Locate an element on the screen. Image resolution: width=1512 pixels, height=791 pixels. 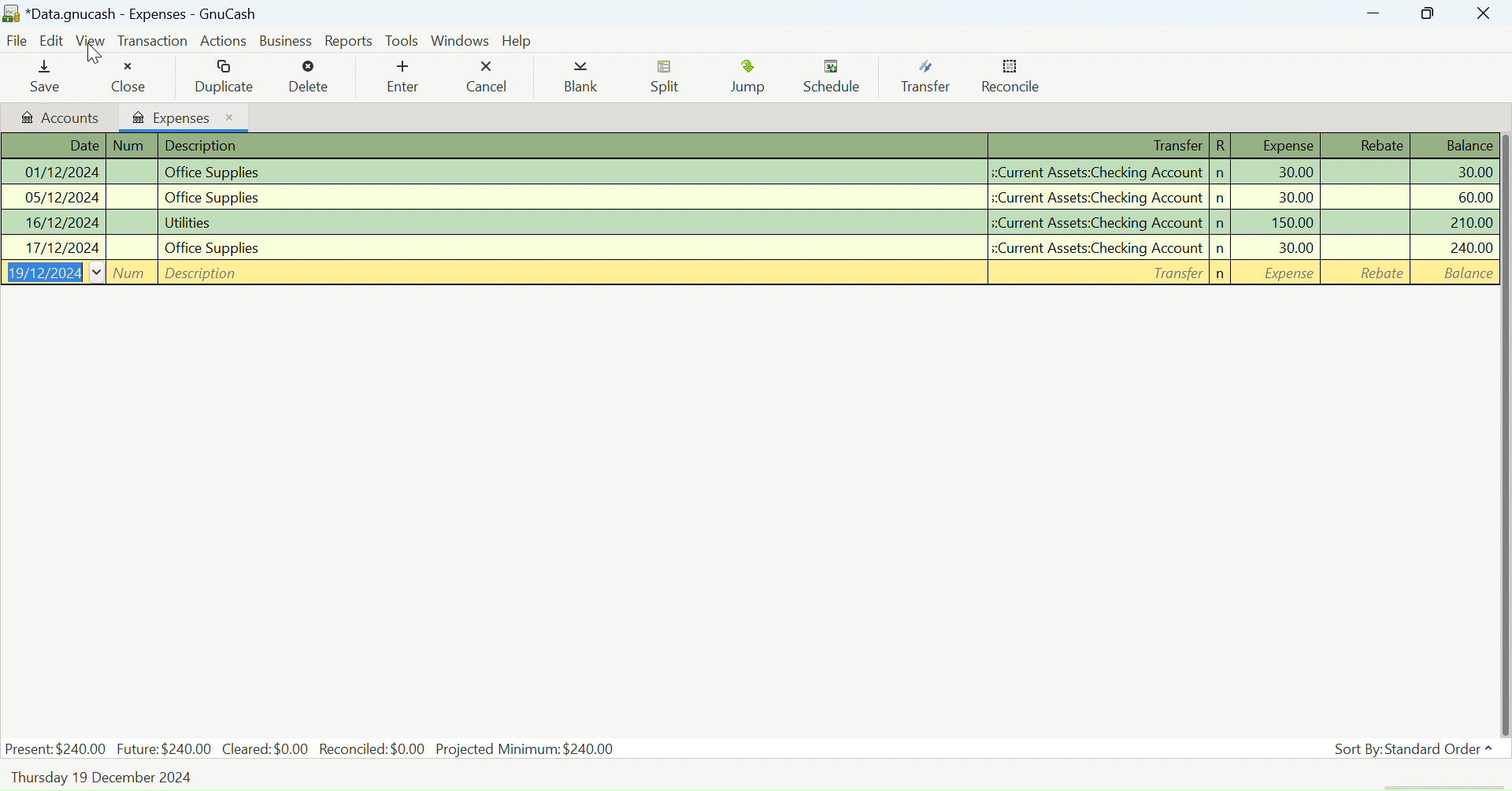
Office Supplies Transaction is located at coordinates (747, 173).